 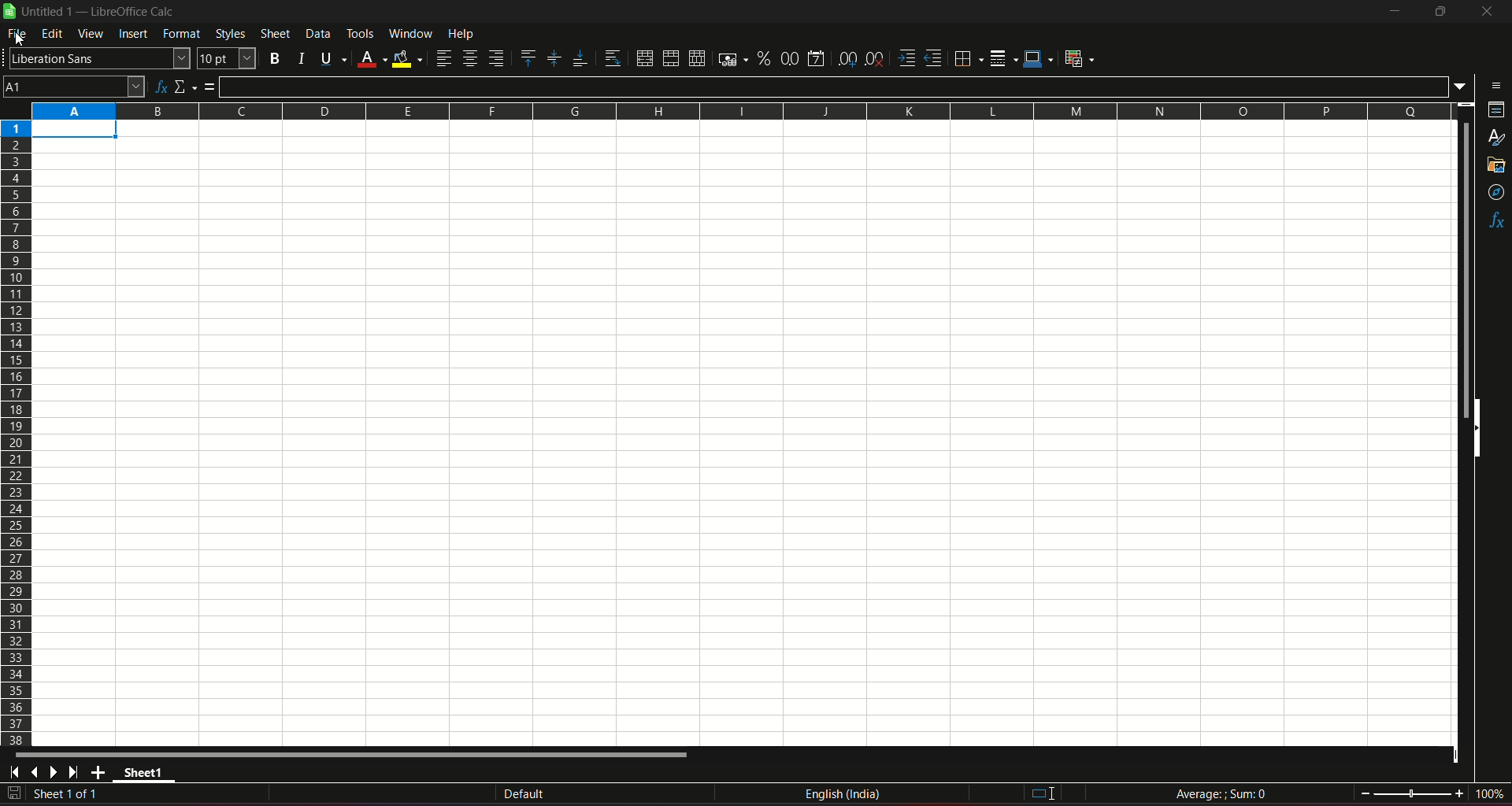 I want to click on view, so click(x=91, y=34).